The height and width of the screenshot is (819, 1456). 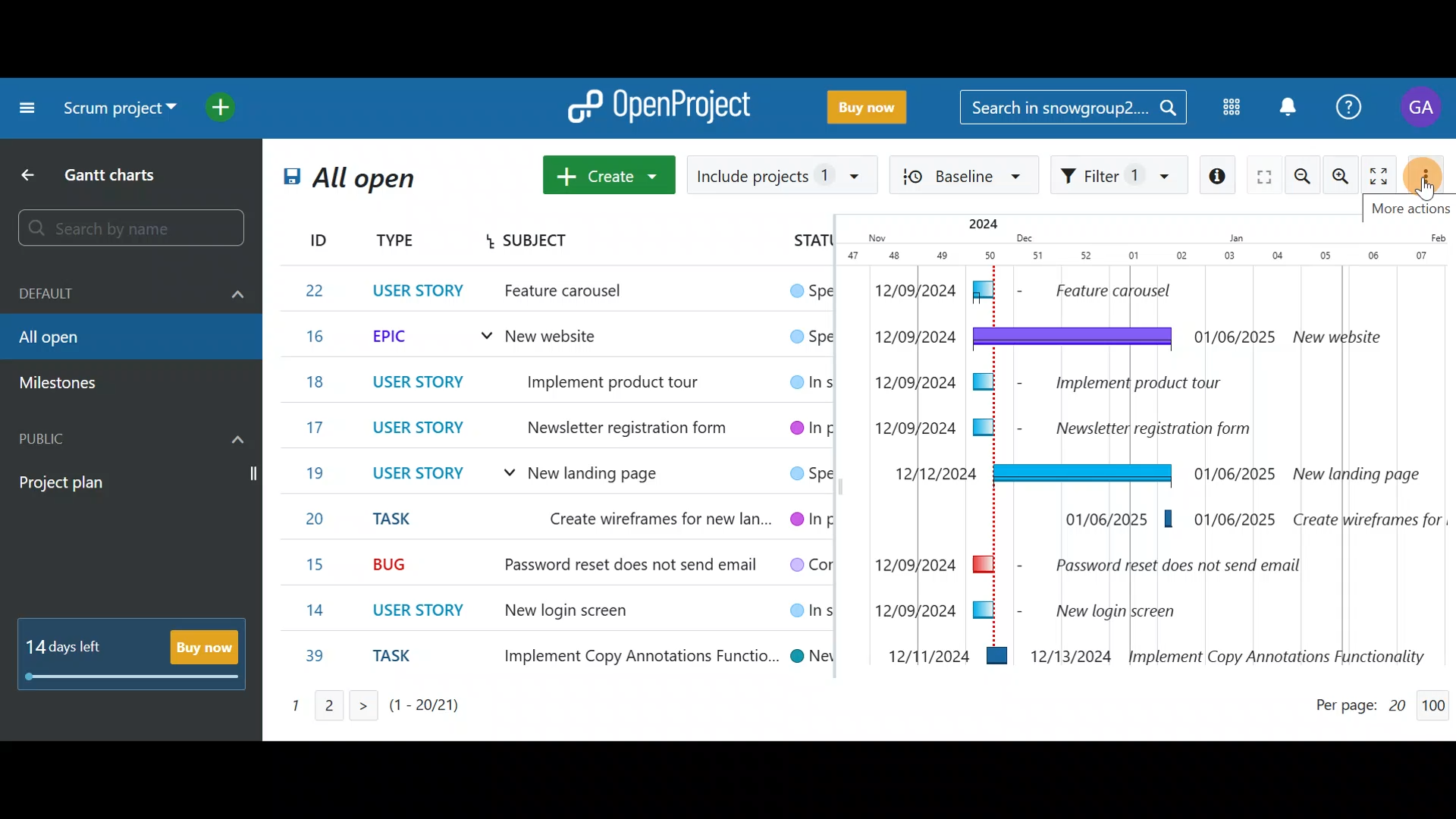 What do you see at coordinates (422, 288) in the screenshot?
I see `USER STORY` at bounding box center [422, 288].